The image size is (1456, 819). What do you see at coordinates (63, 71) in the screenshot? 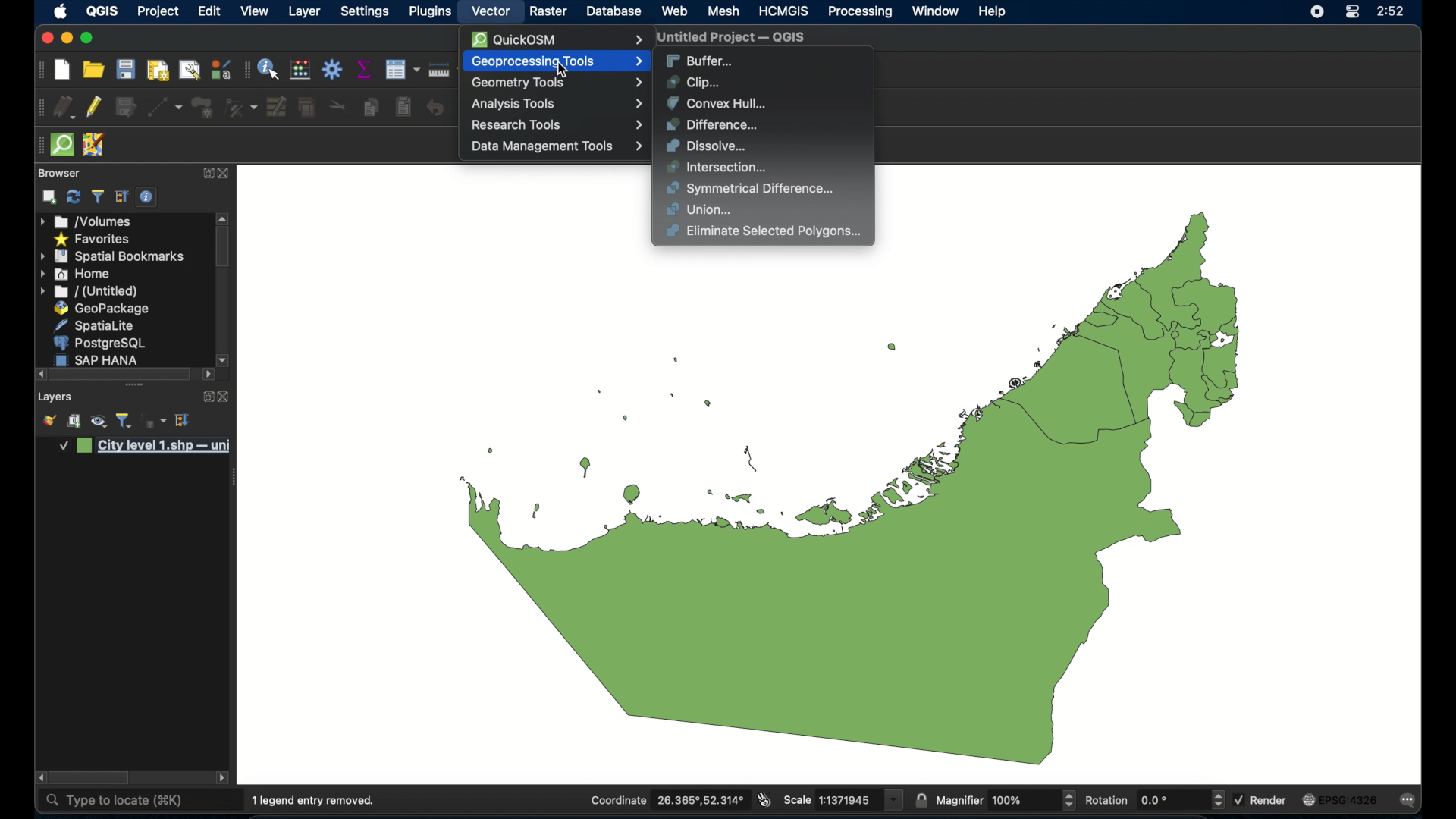
I see `new project` at bounding box center [63, 71].